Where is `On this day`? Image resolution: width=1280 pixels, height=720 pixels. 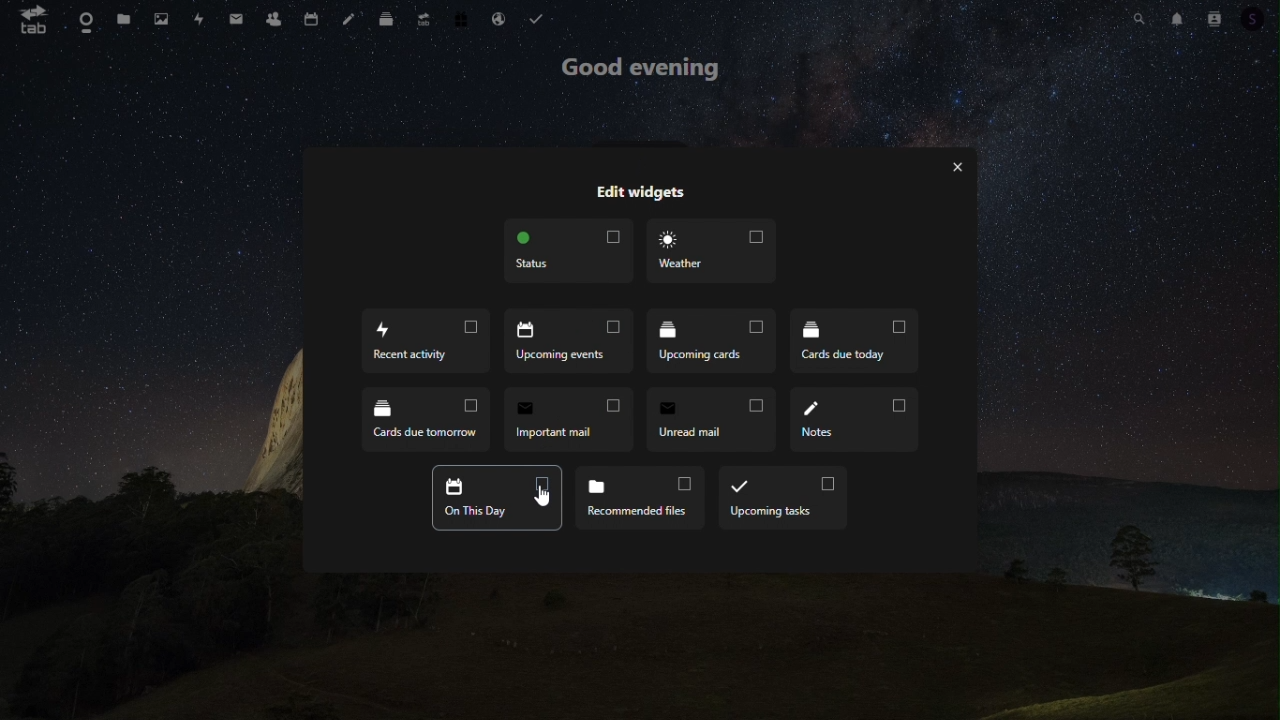 On this day is located at coordinates (497, 497).